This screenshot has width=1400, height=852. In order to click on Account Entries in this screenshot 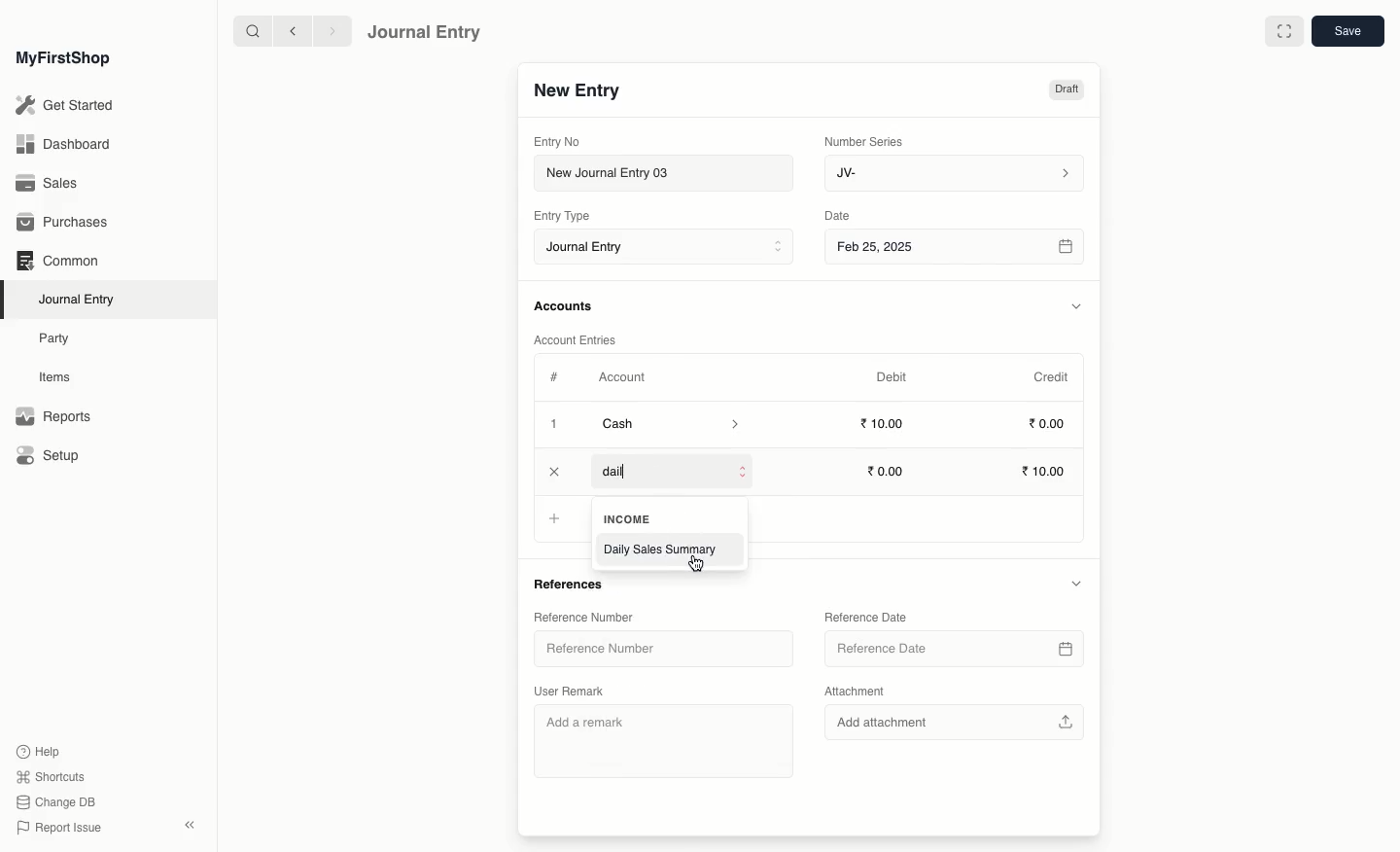, I will do `click(582, 340)`.